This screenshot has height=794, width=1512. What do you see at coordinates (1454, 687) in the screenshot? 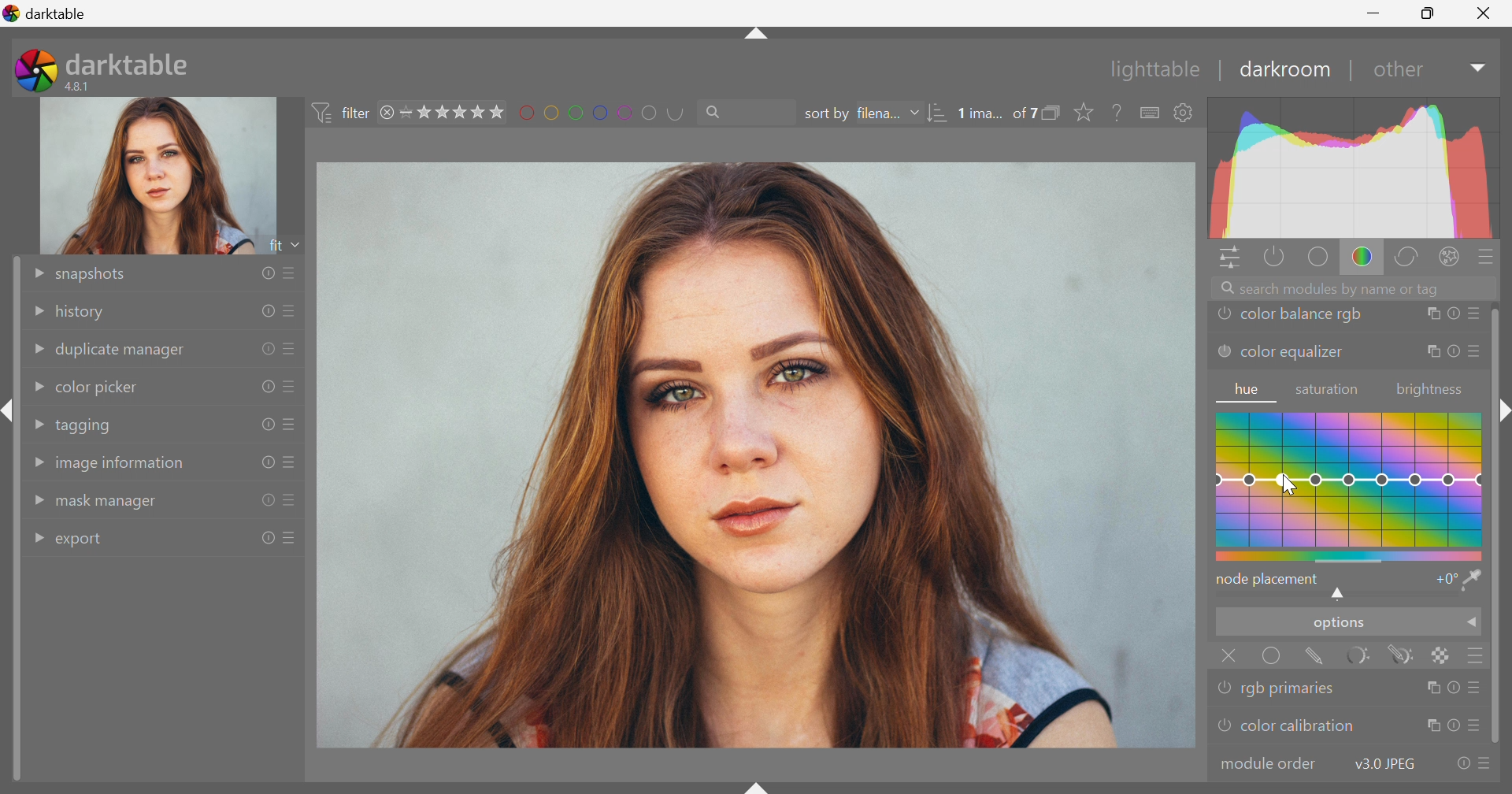
I see `reset` at bounding box center [1454, 687].